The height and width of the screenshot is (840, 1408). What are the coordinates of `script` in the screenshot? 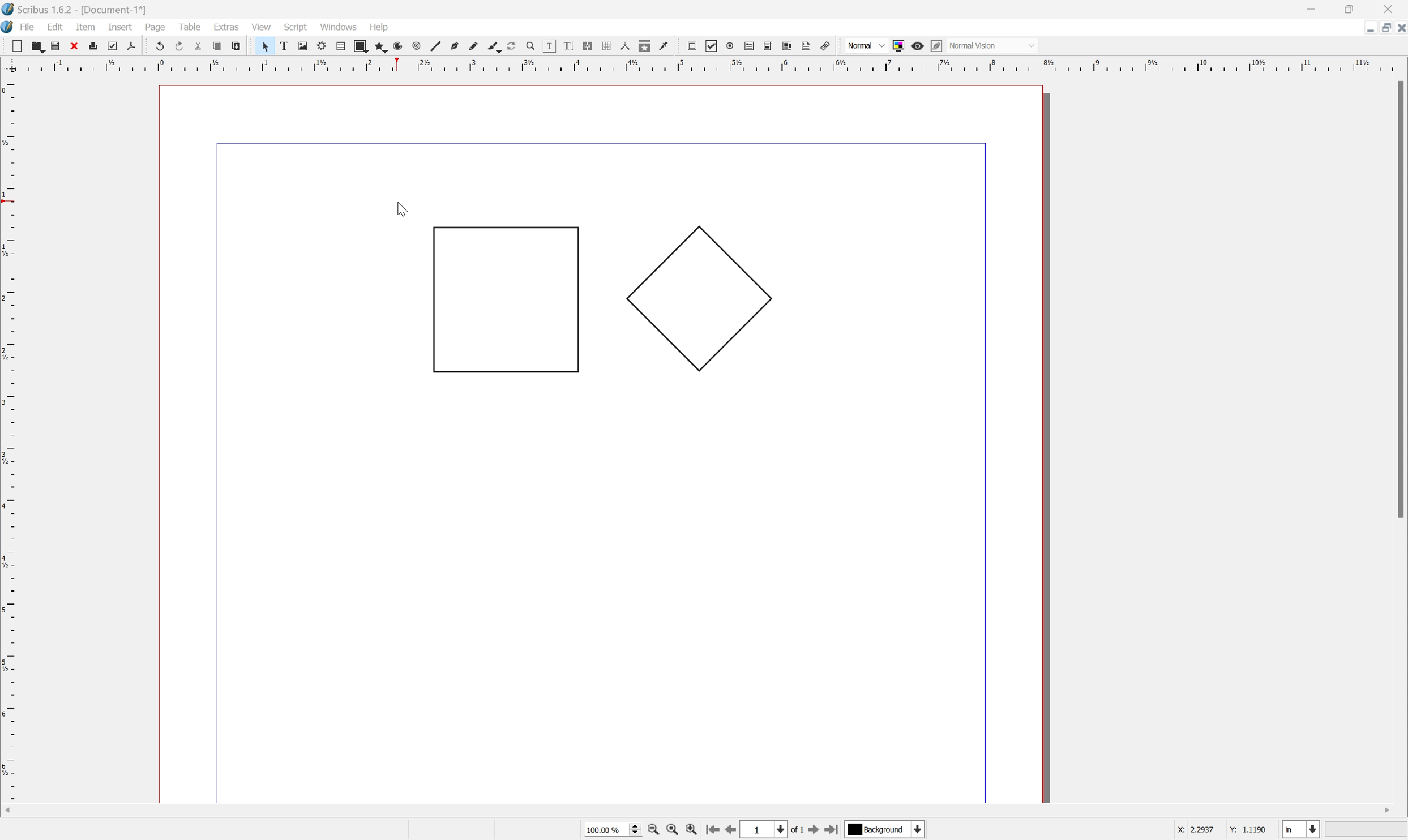 It's located at (296, 26).